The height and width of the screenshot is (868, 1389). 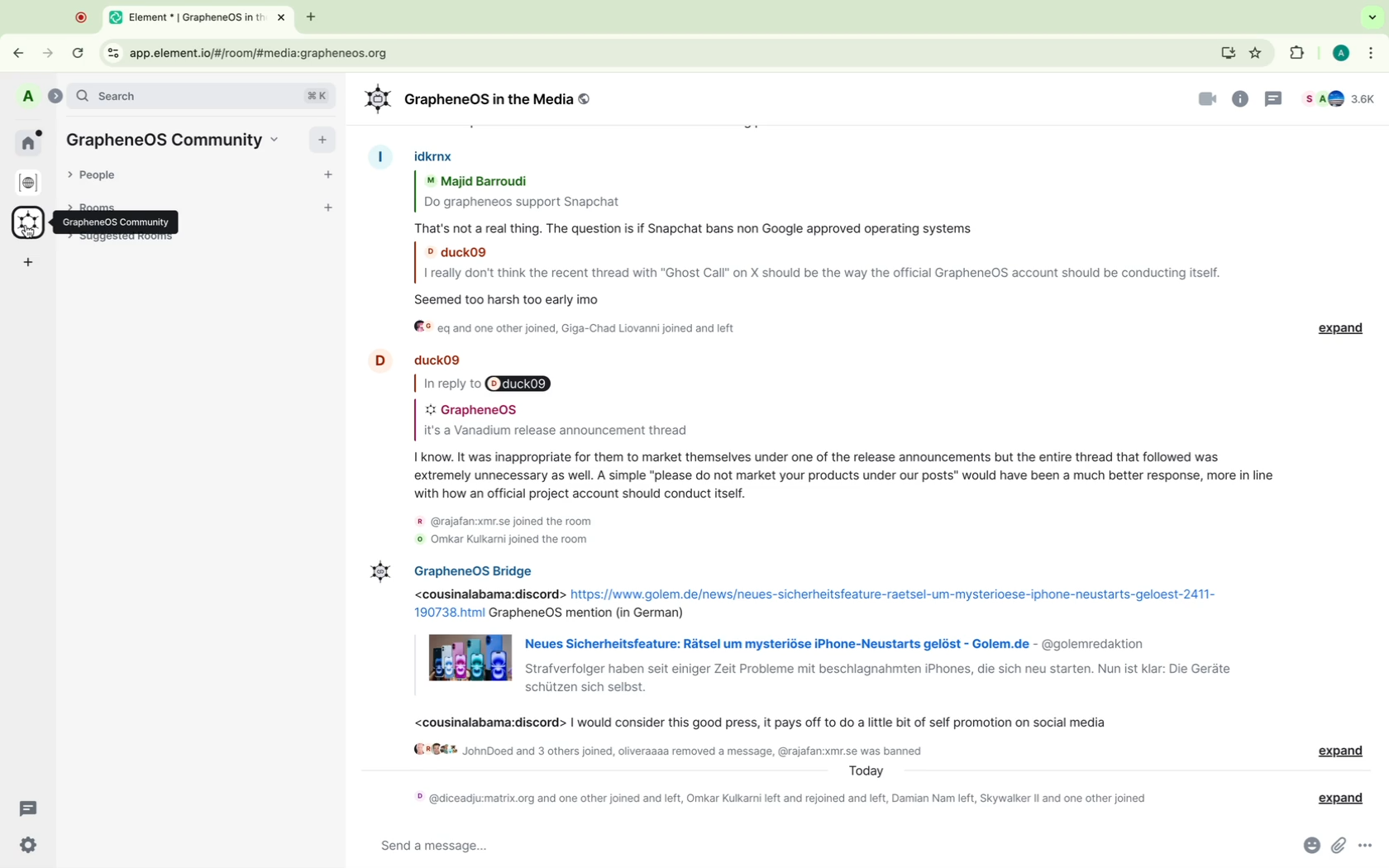 What do you see at coordinates (668, 51) in the screenshot?
I see `app.element.io/#/room/#media:grapheneOS.org` at bounding box center [668, 51].